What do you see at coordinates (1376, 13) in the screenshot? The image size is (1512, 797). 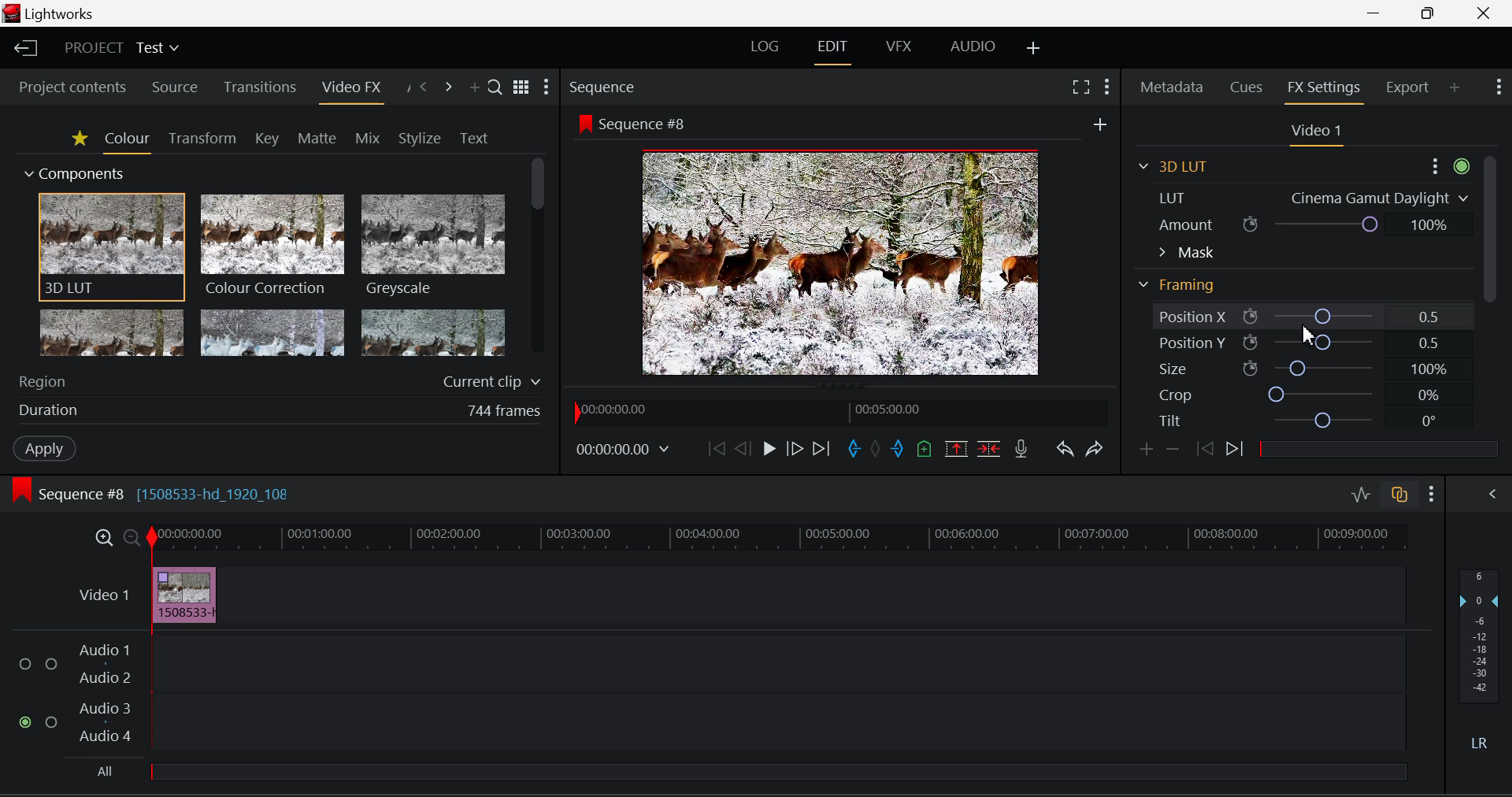 I see `Restore Down` at bounding box center [1376, 13].